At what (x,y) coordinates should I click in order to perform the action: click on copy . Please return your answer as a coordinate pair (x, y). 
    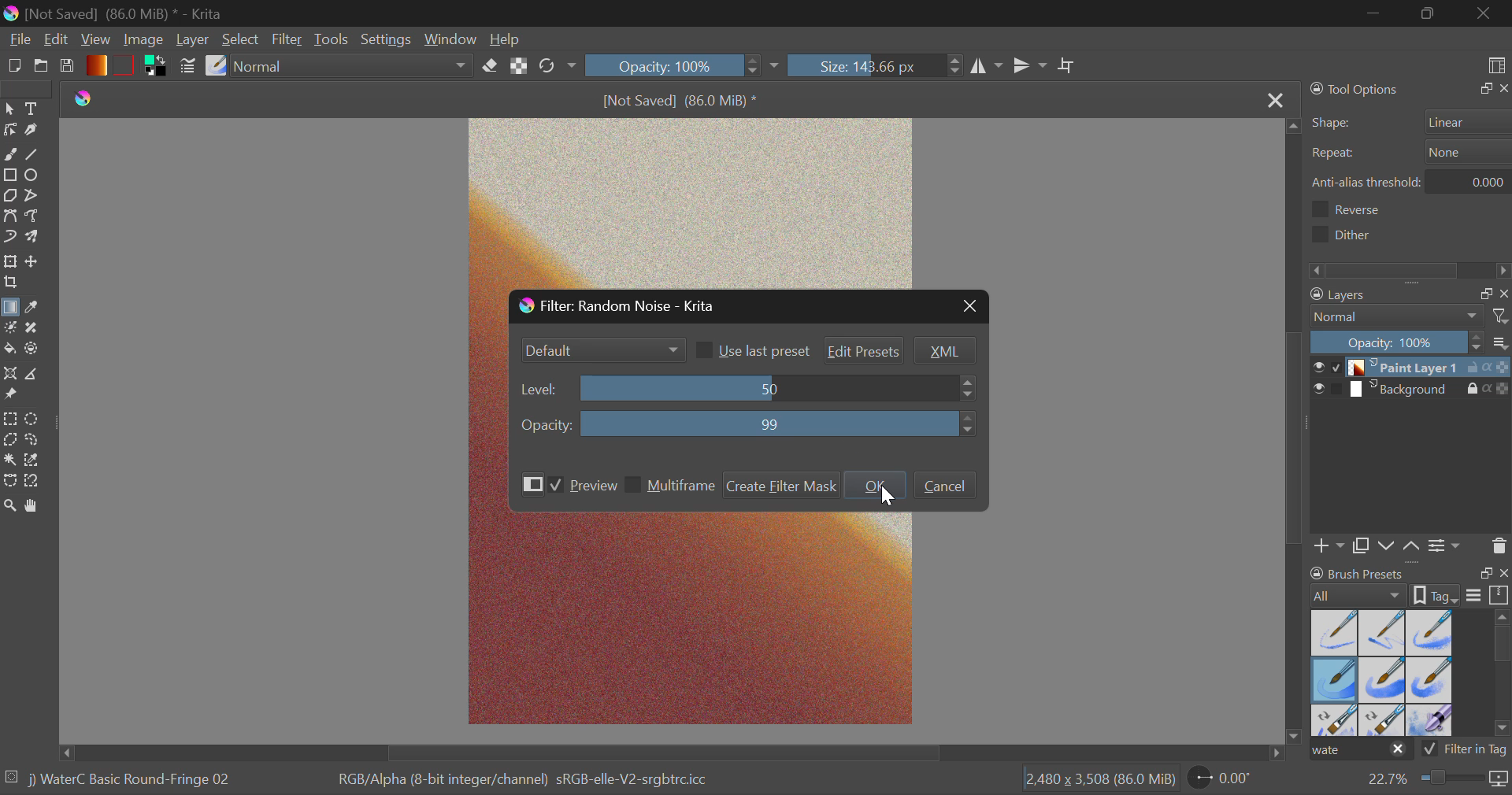
    Looking at the image, I should click on (1482, 294).